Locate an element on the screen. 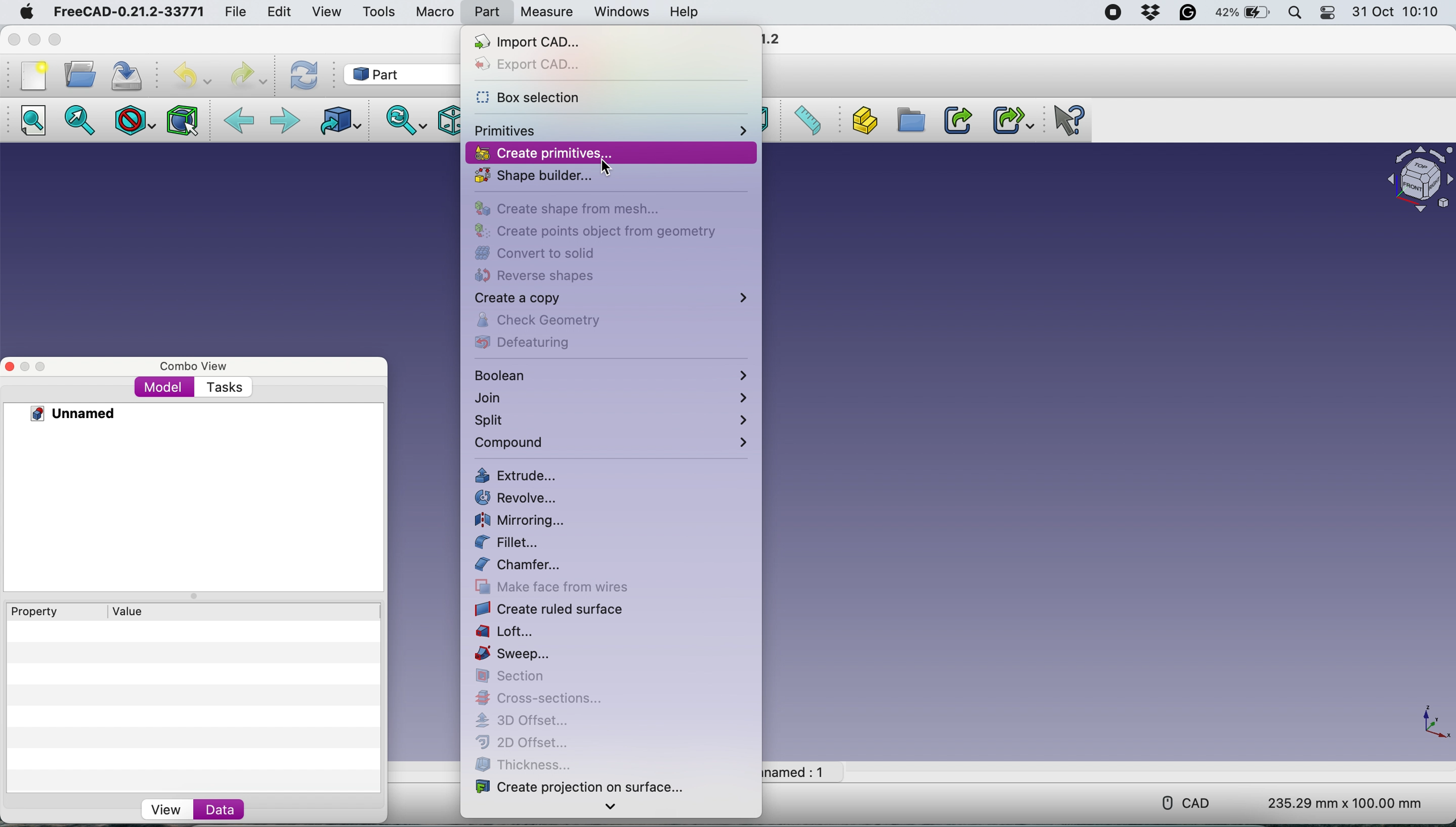  more options is located at coordinates (613, 809).